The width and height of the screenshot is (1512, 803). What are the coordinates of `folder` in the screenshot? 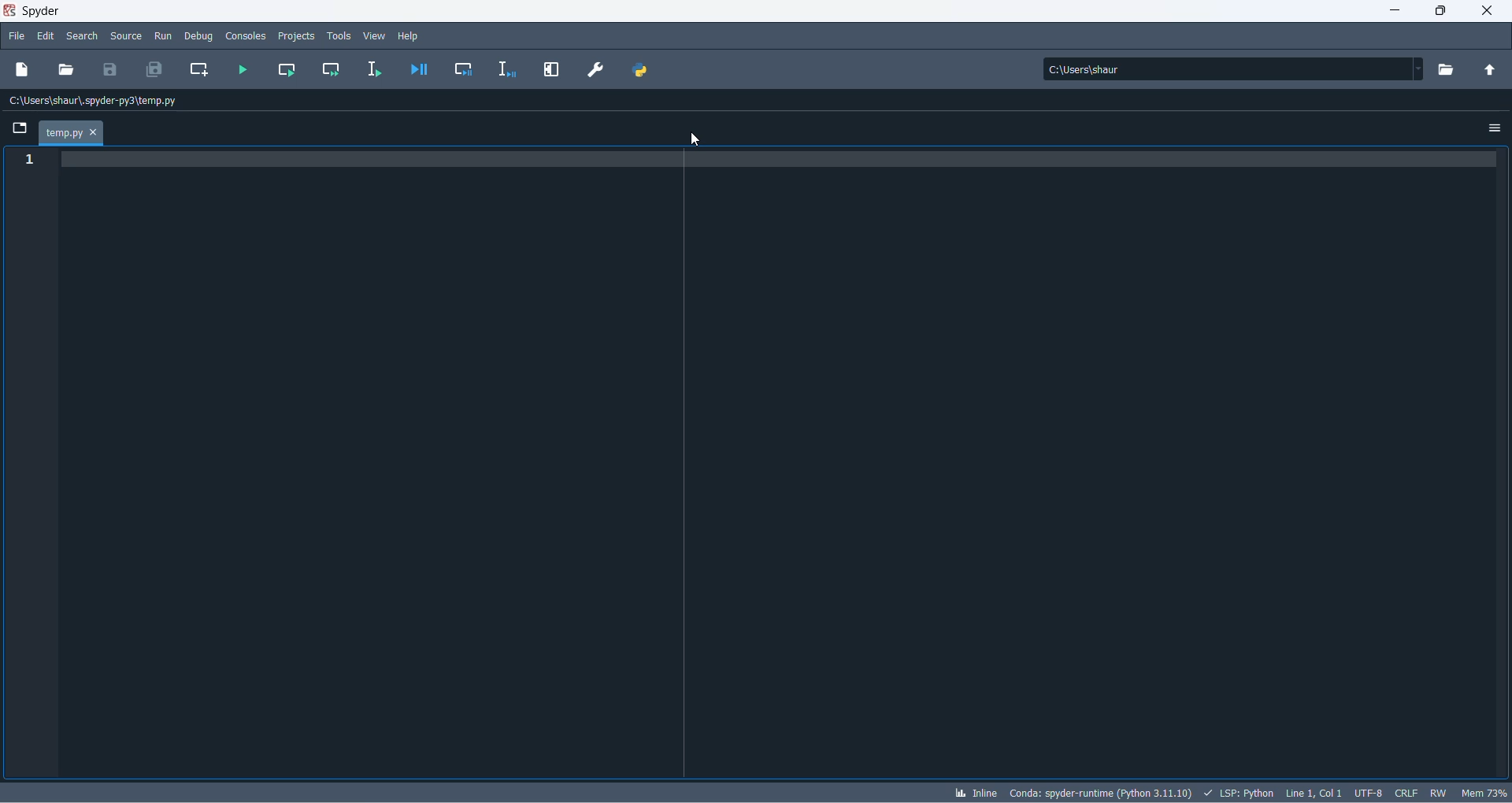 It's located at (18, 130).